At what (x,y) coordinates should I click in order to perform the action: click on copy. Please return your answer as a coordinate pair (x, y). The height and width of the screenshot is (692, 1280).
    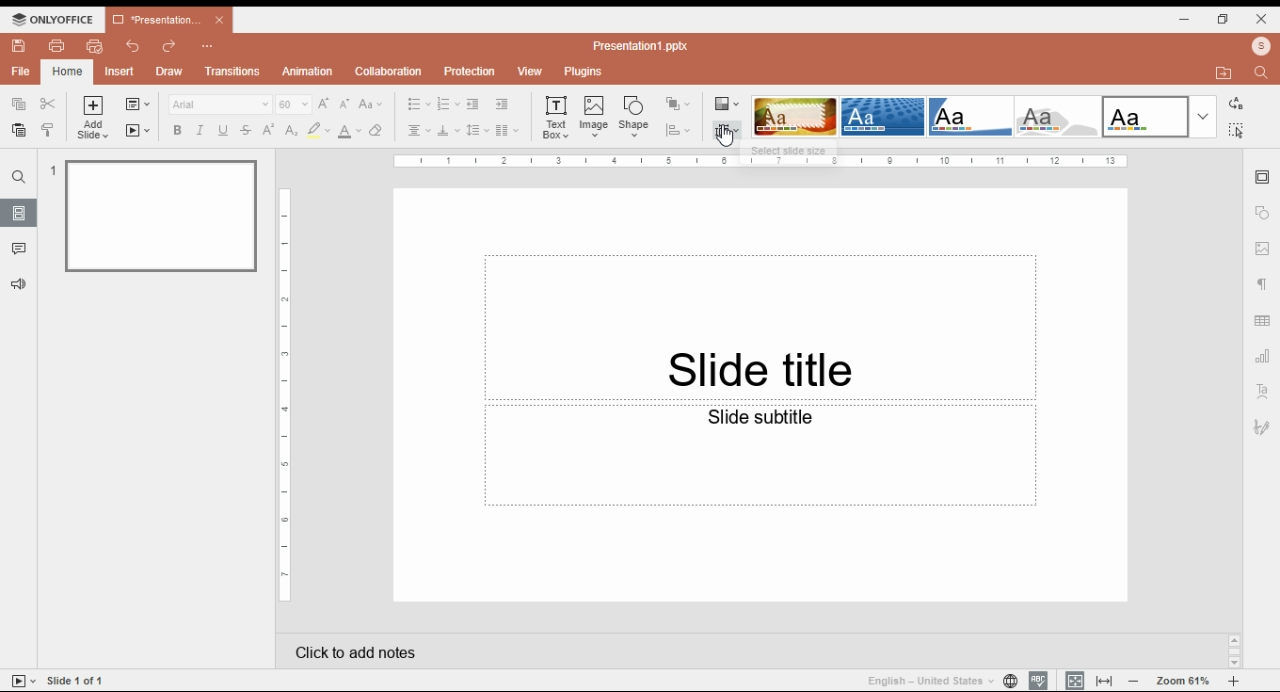
    Looking at the image, I should click on (17, 102).